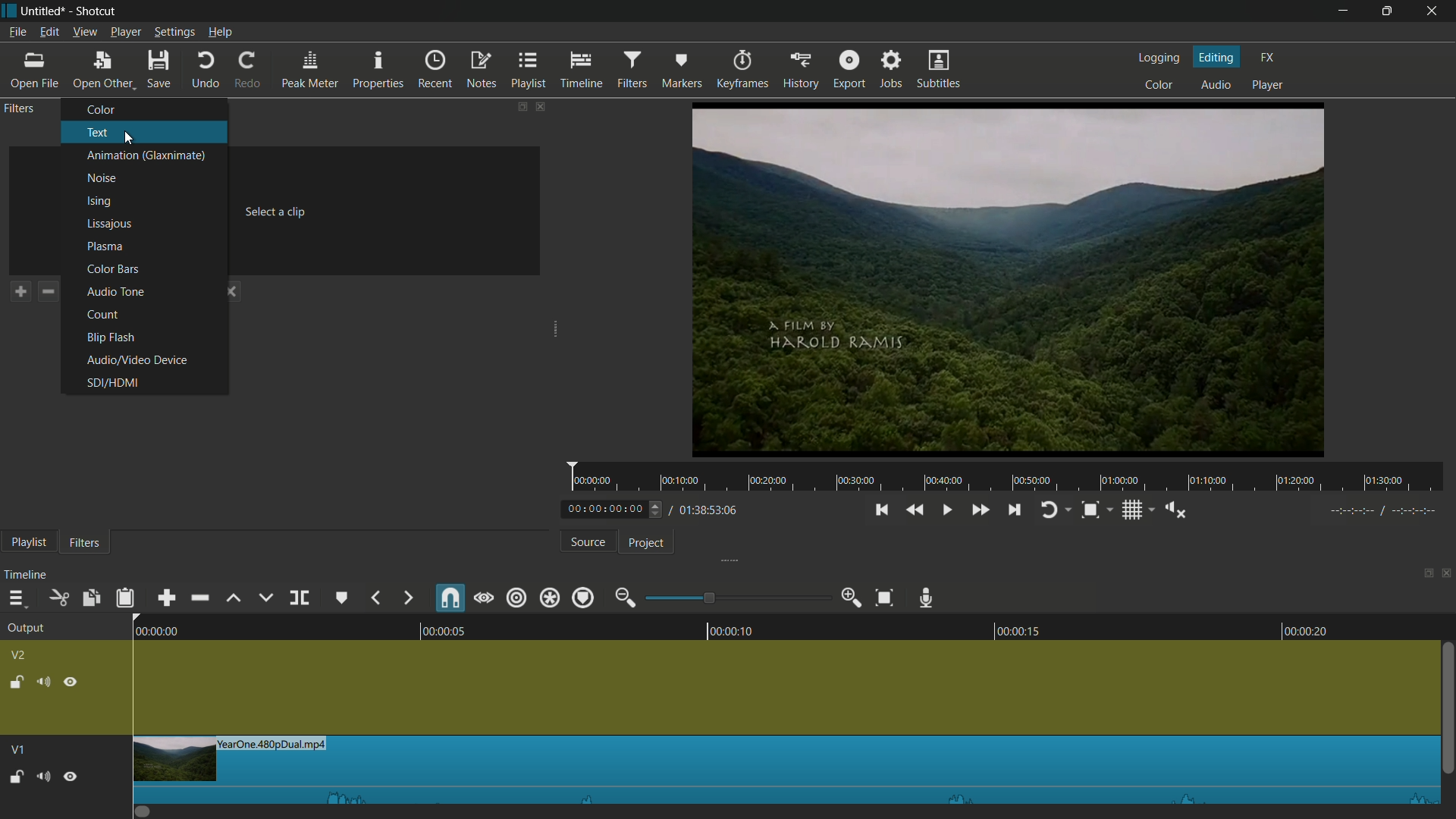  Describe the element at coordinates (310, 71) in the screenshot. I see `peak meter` at that location.